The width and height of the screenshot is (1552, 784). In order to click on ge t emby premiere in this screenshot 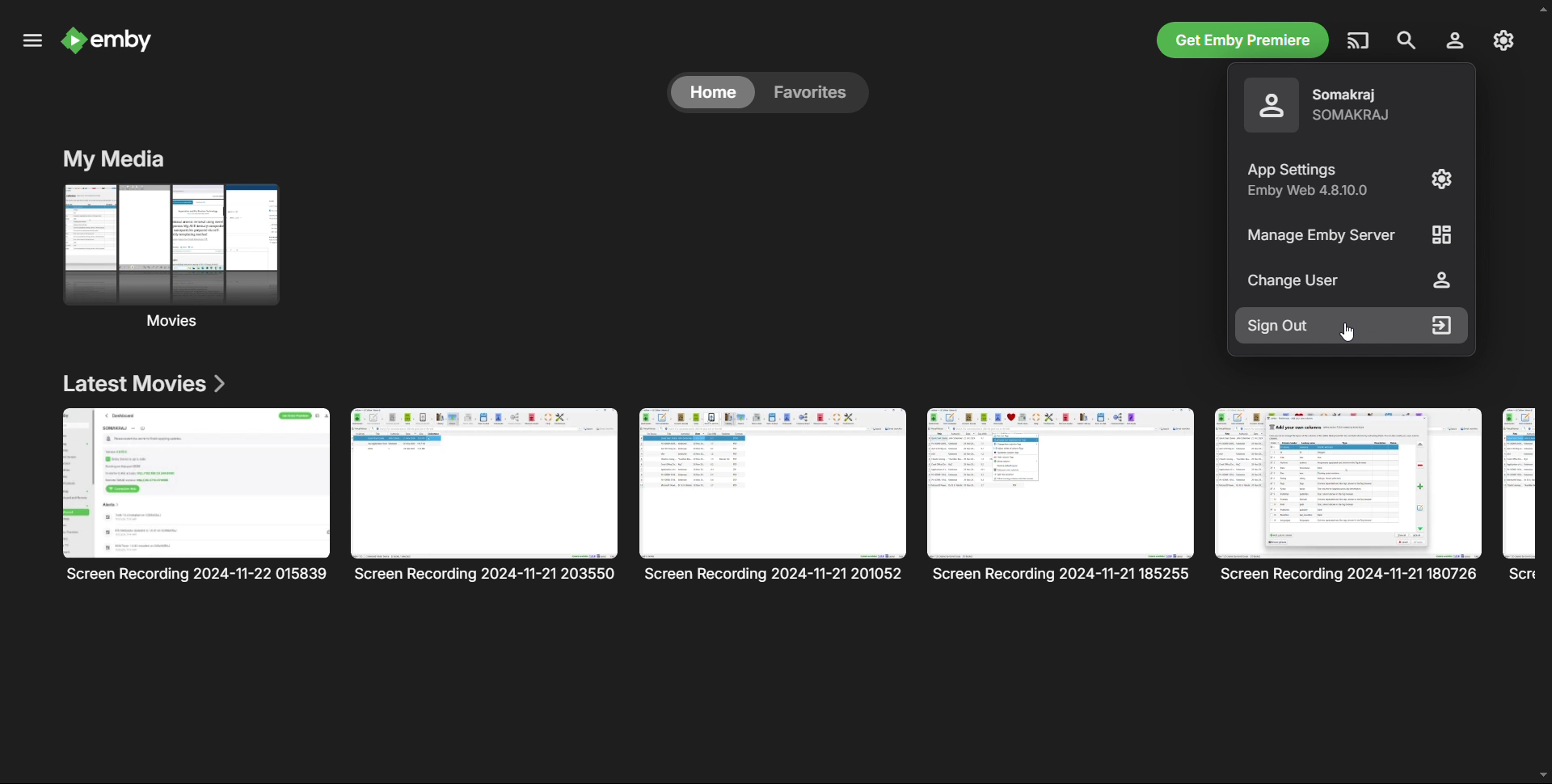, I will do `click(1242, 39)`.